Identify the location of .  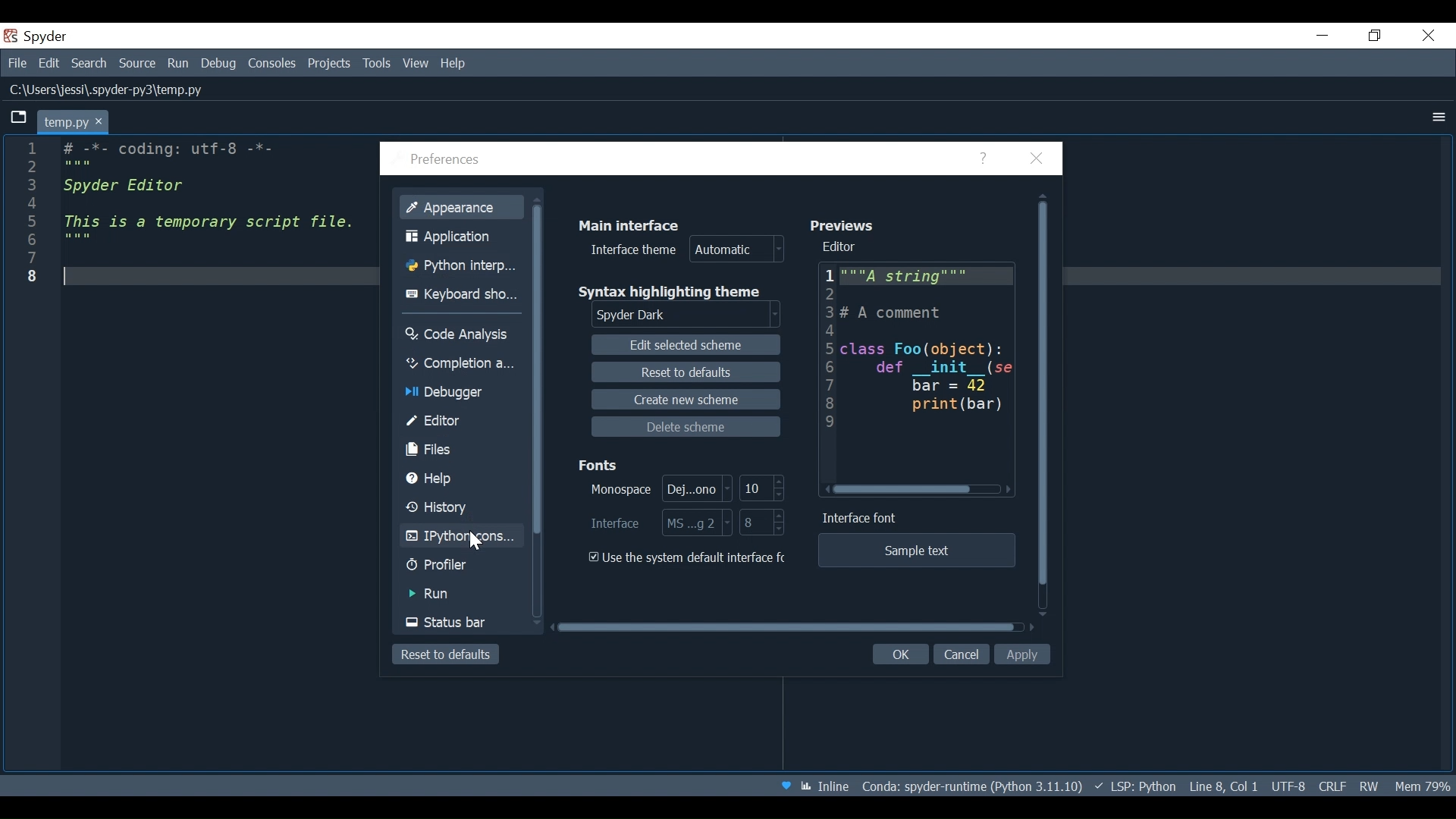
(26, 231).